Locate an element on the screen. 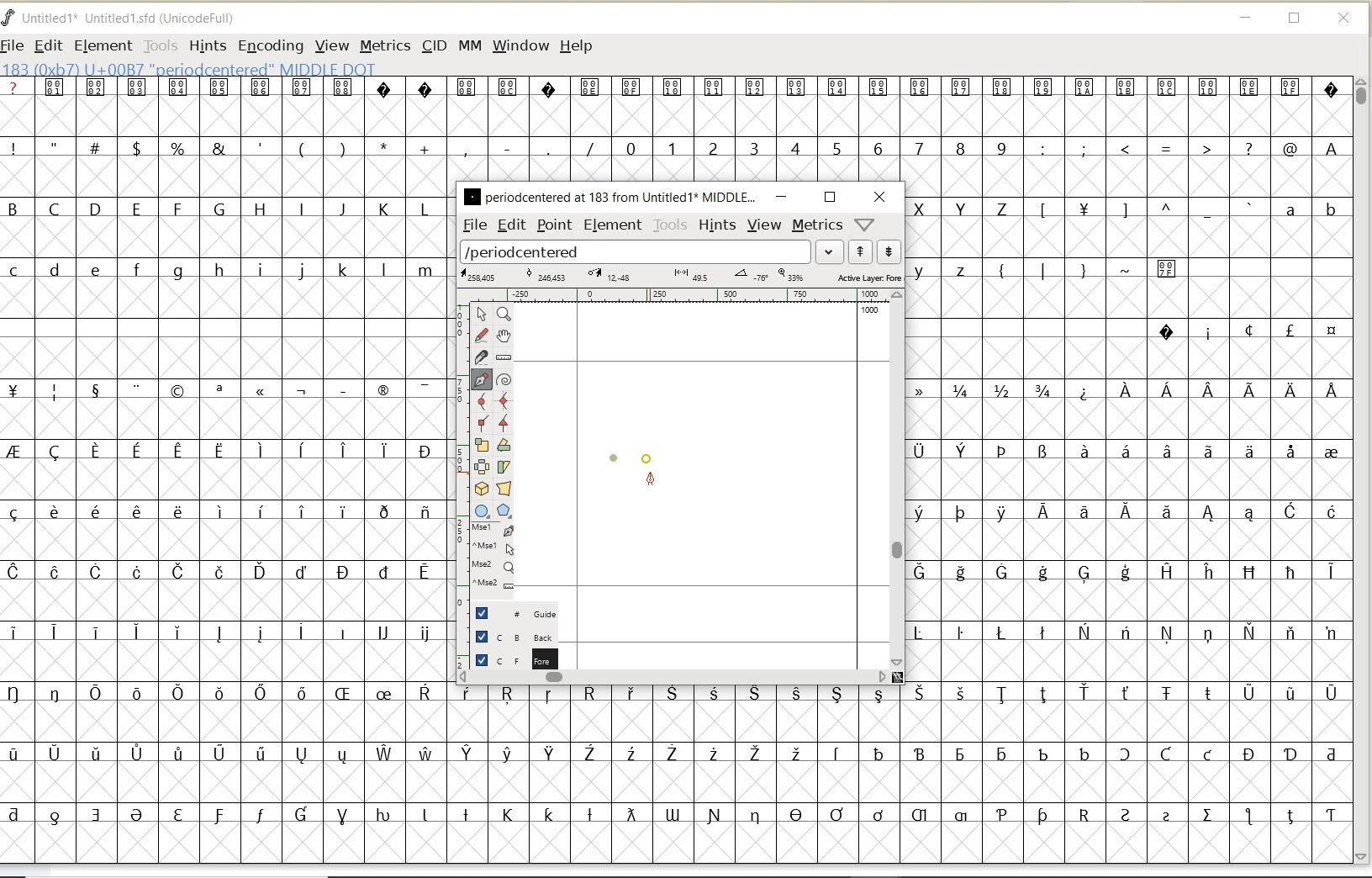  special characters is located at coordinates (1108, 276).